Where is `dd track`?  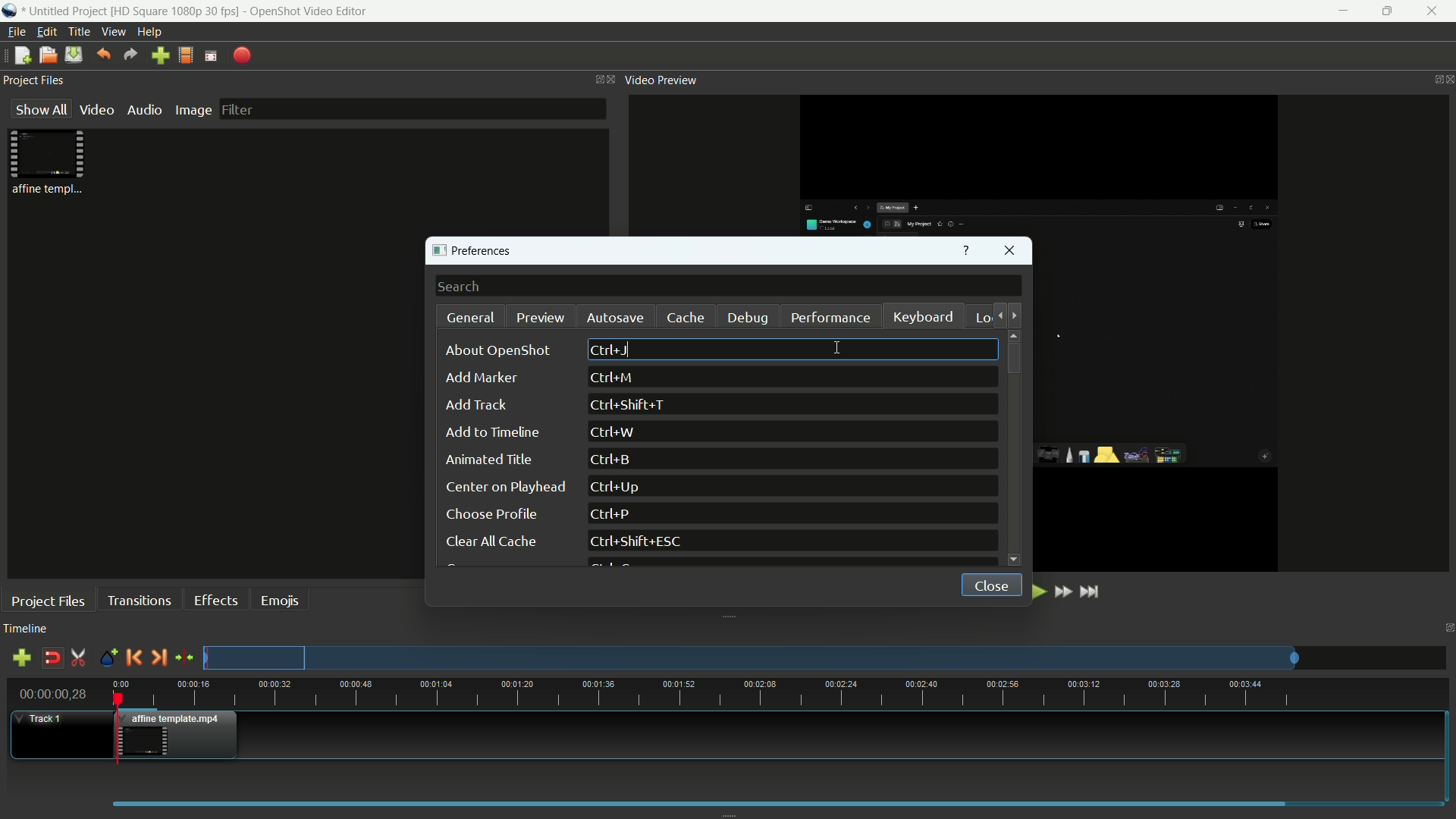
dd track is located at coordinates (475, 405).